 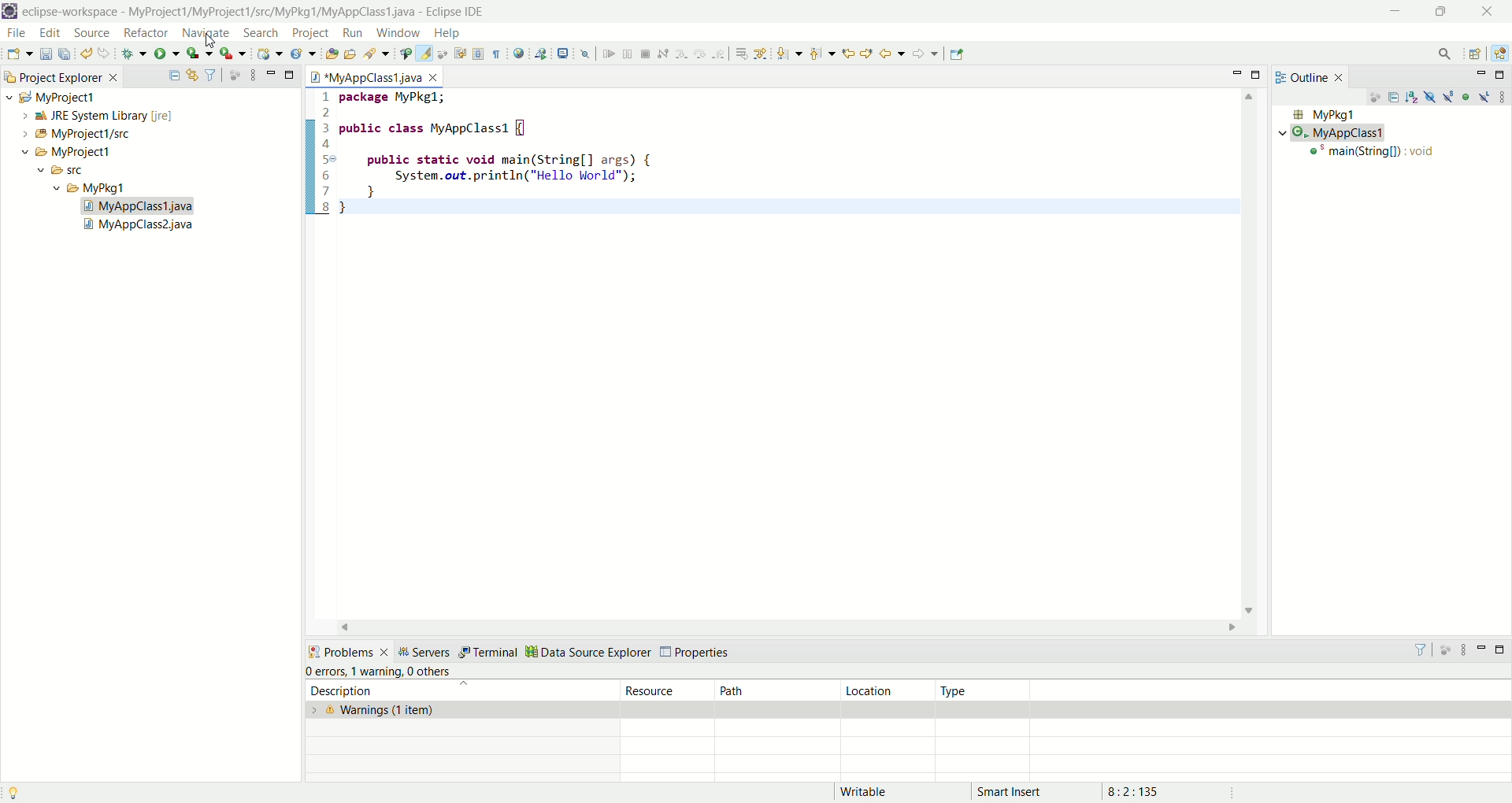 What do you see at coordinates (145, 35) in the screenshot?
I see `refactor` at bounding box center [145, 35].